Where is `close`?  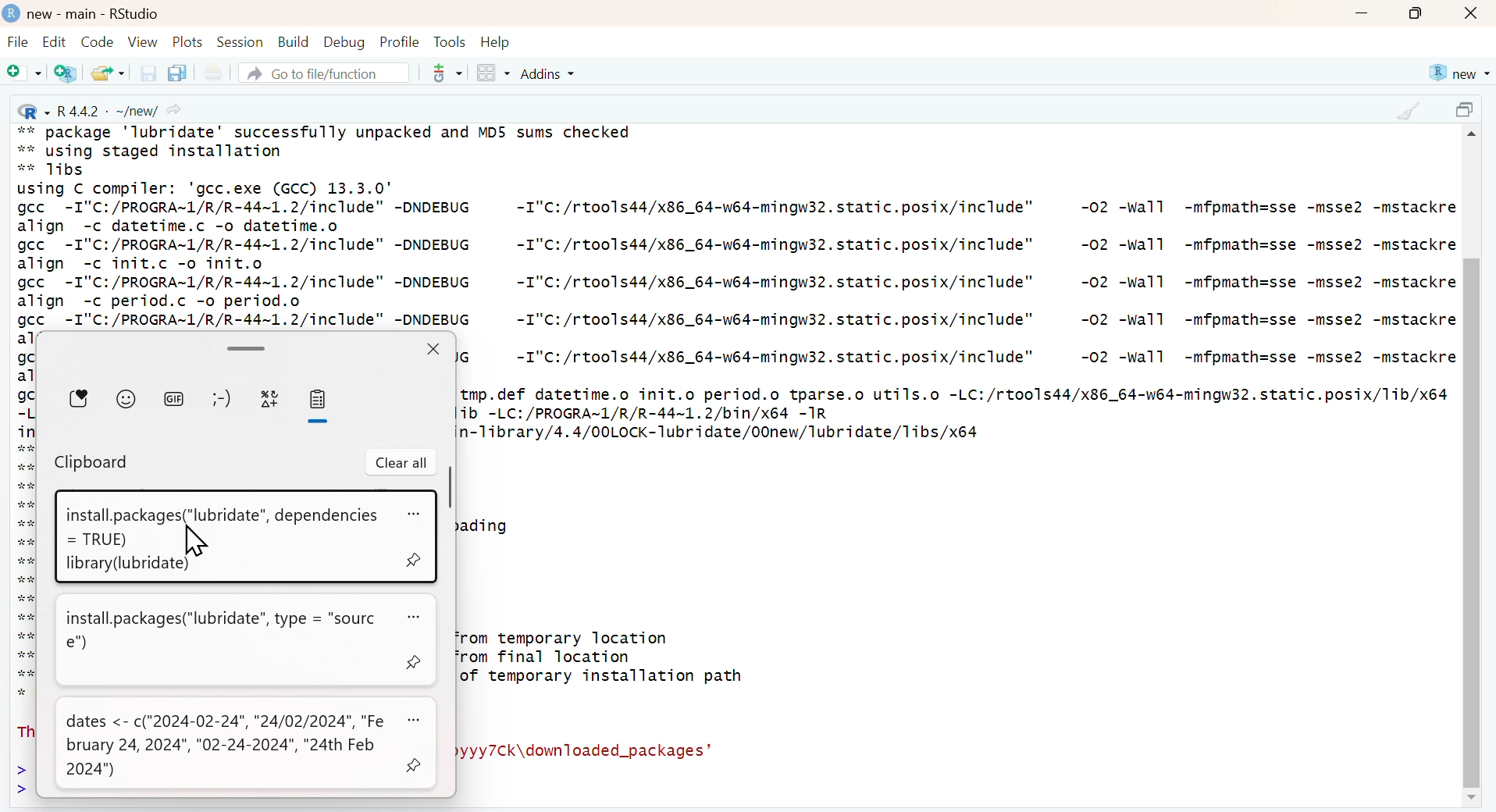 close is located at coordinates (1473, 14).